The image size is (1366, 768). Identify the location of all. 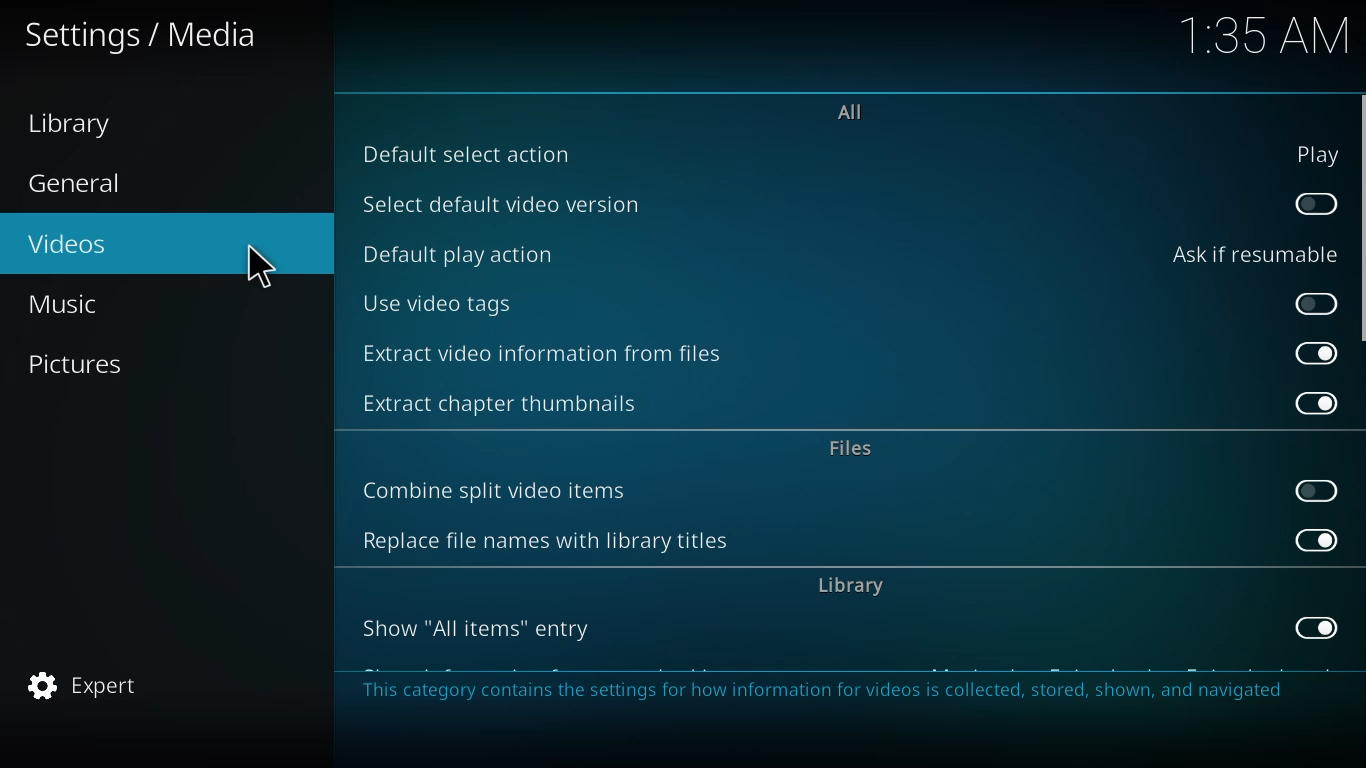
(851, 112).